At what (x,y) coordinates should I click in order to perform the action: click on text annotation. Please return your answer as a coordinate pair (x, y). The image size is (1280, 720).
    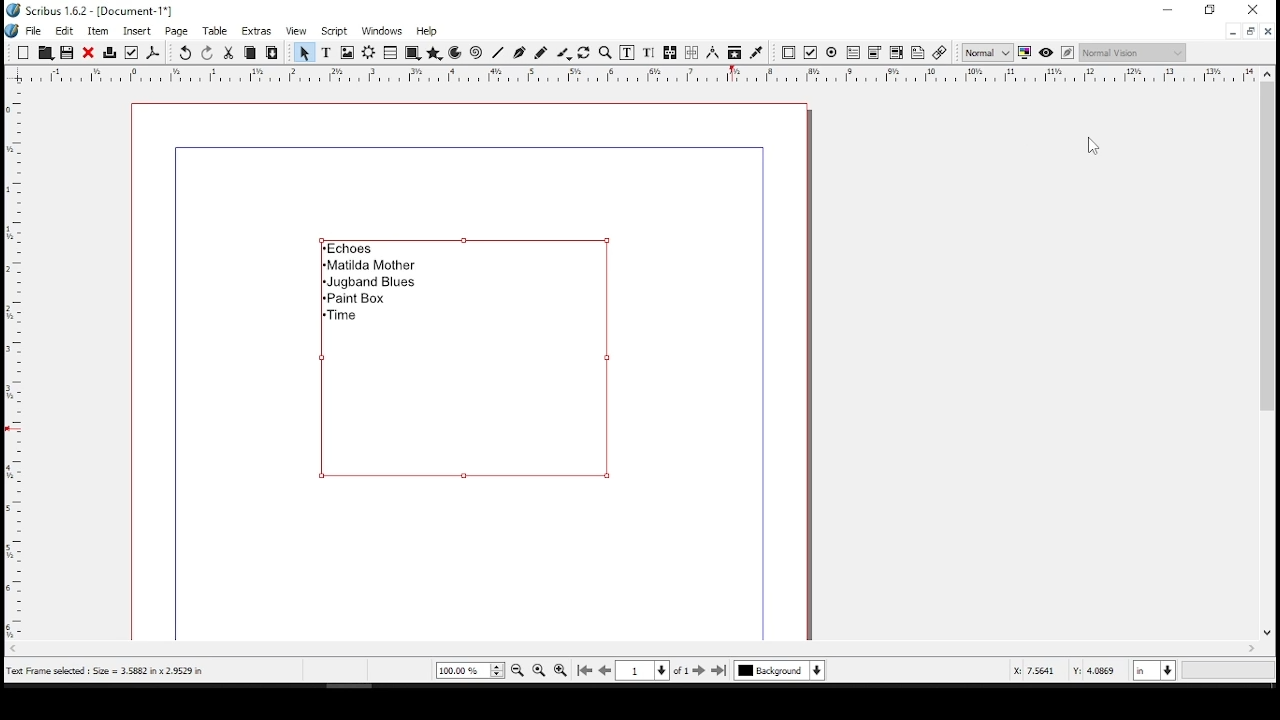
    Looking at the image, I should click on (918, 52).